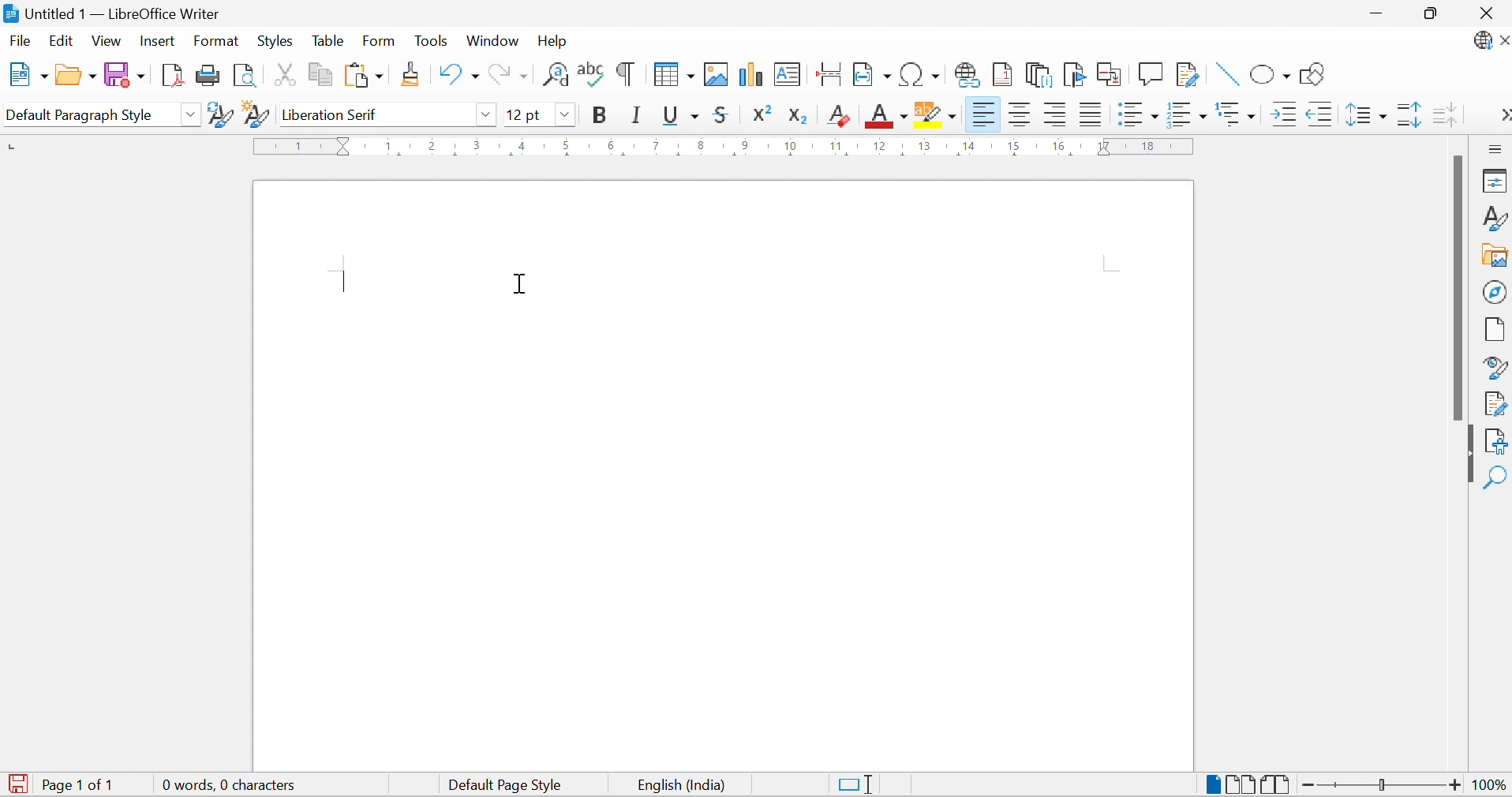  What do you see at coordinates (170, 74) in the screenshot?
I see `Export as PDF` at bounding box center [170, 74].